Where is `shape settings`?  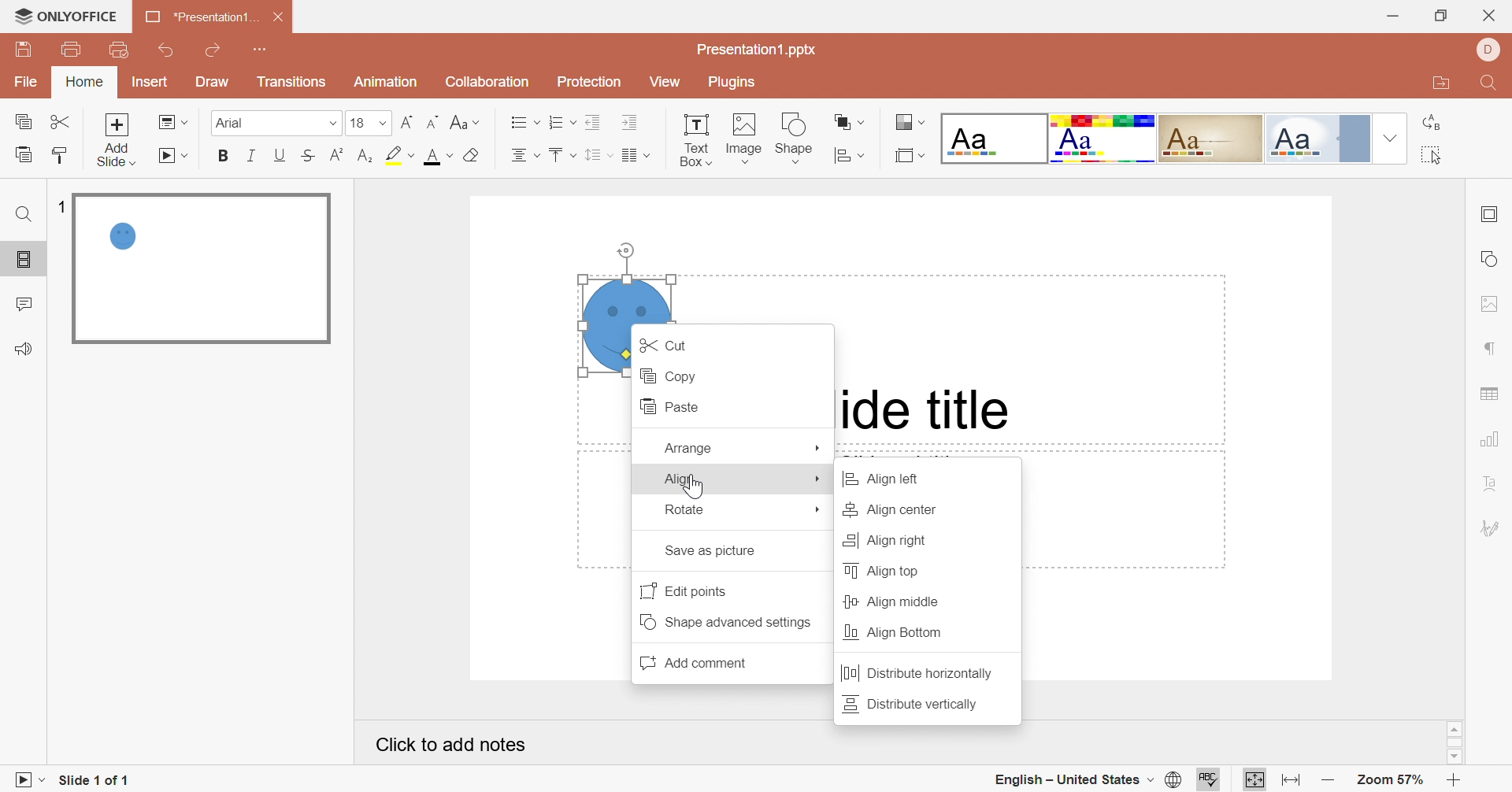
shape settings is located at coordinates (1492, 260).